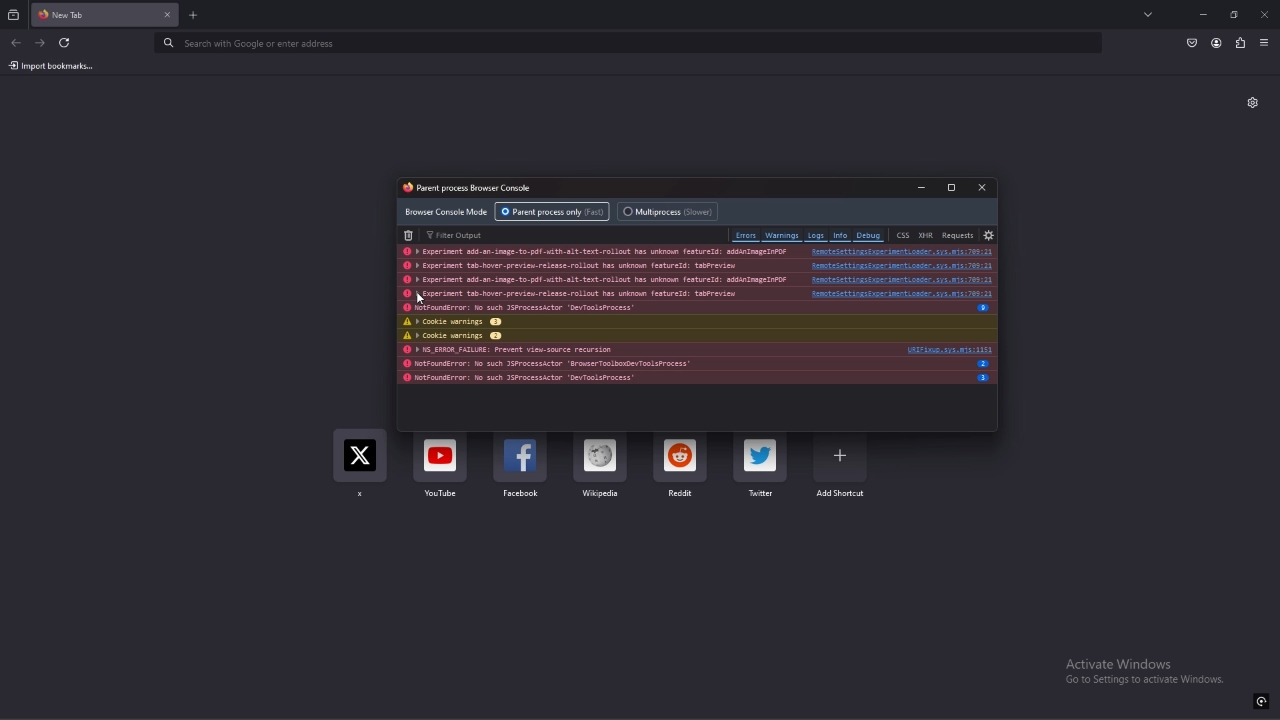 The width and height of the screenshot is (1280, 720). I want to click on settings, so click(988, 235).